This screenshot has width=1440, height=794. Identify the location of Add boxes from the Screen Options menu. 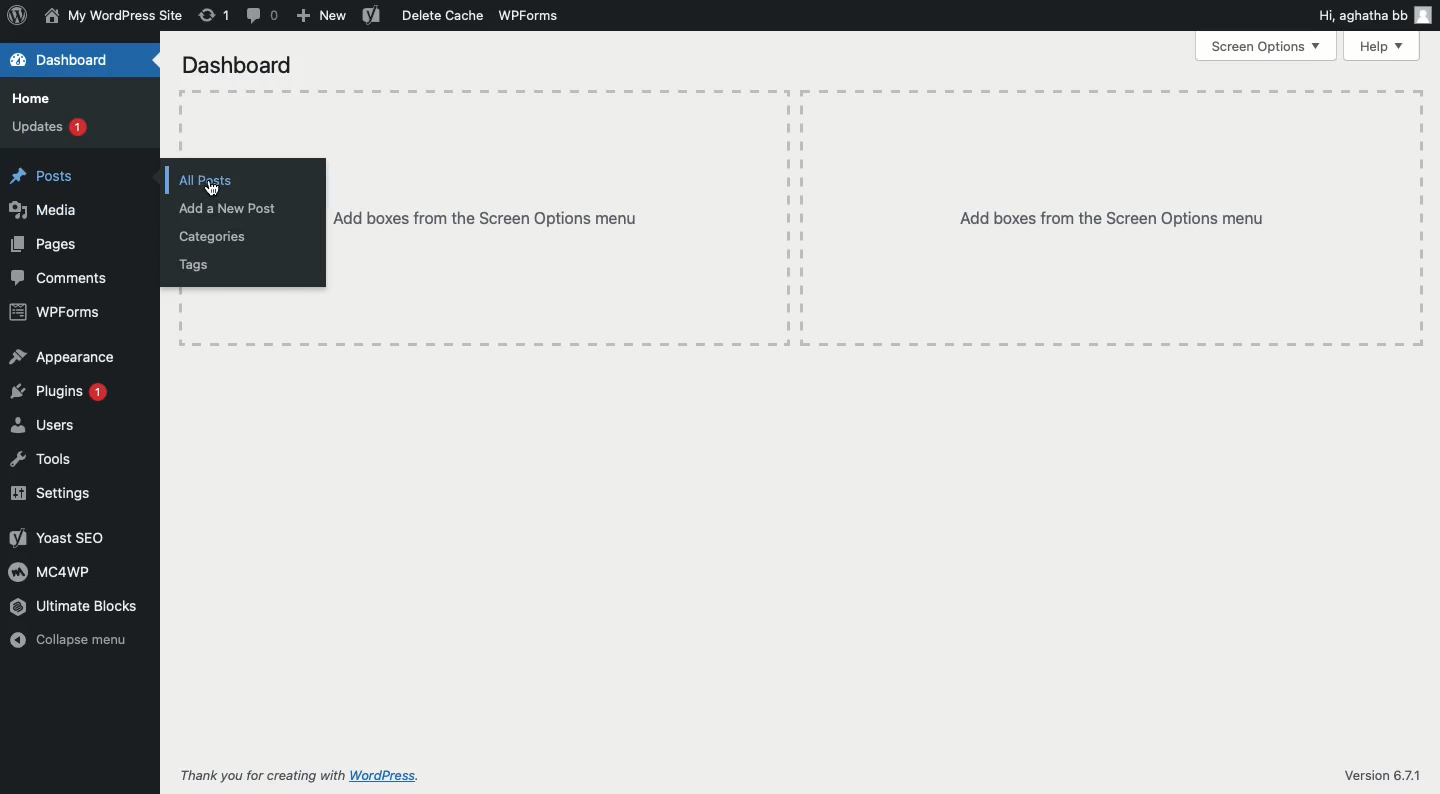
(1119, 206).